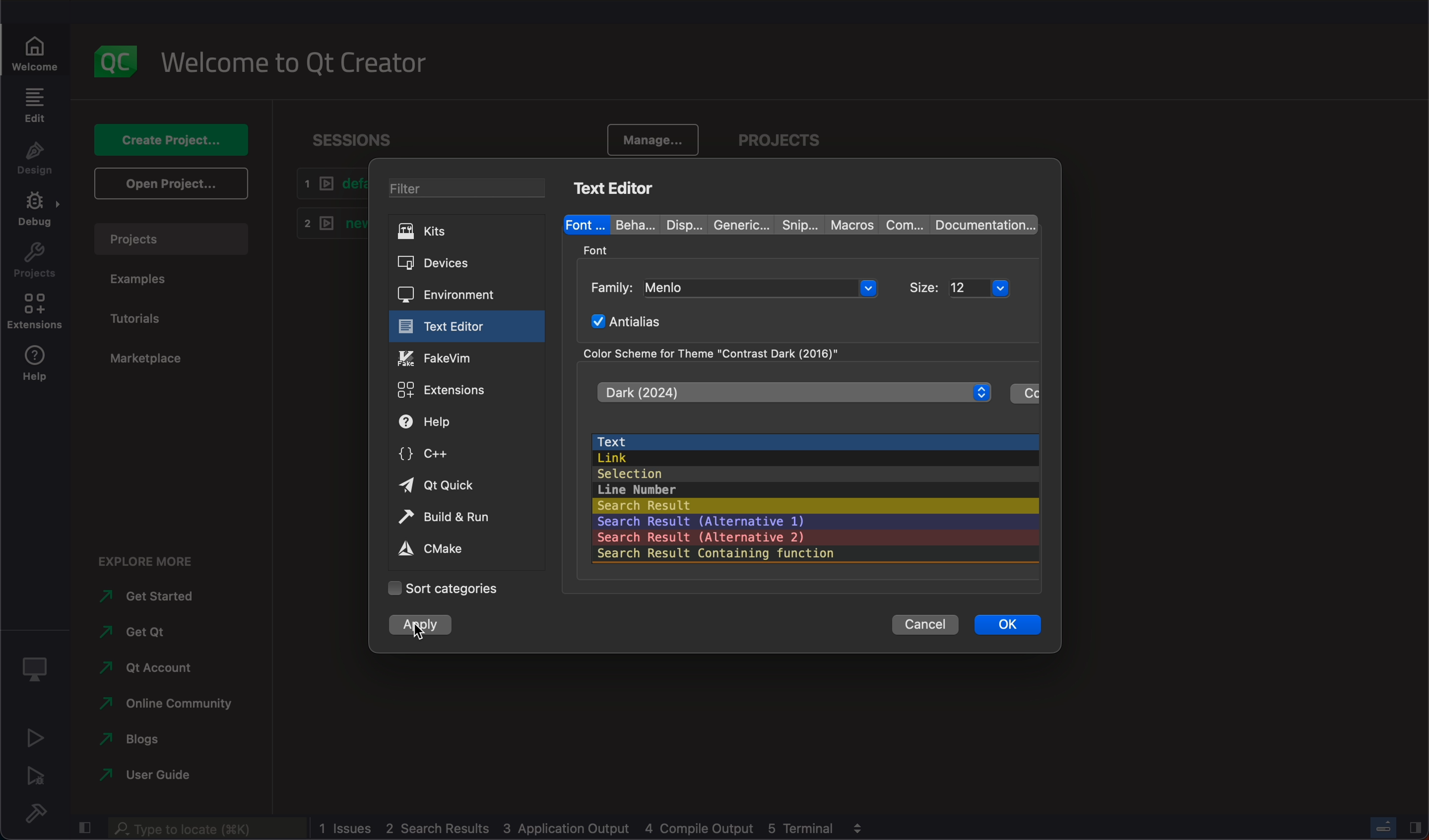 This screenshot has width=1429, height=840. Describe the element at coordinates (418, 626) in the screenshot. I see `apply` at that location.